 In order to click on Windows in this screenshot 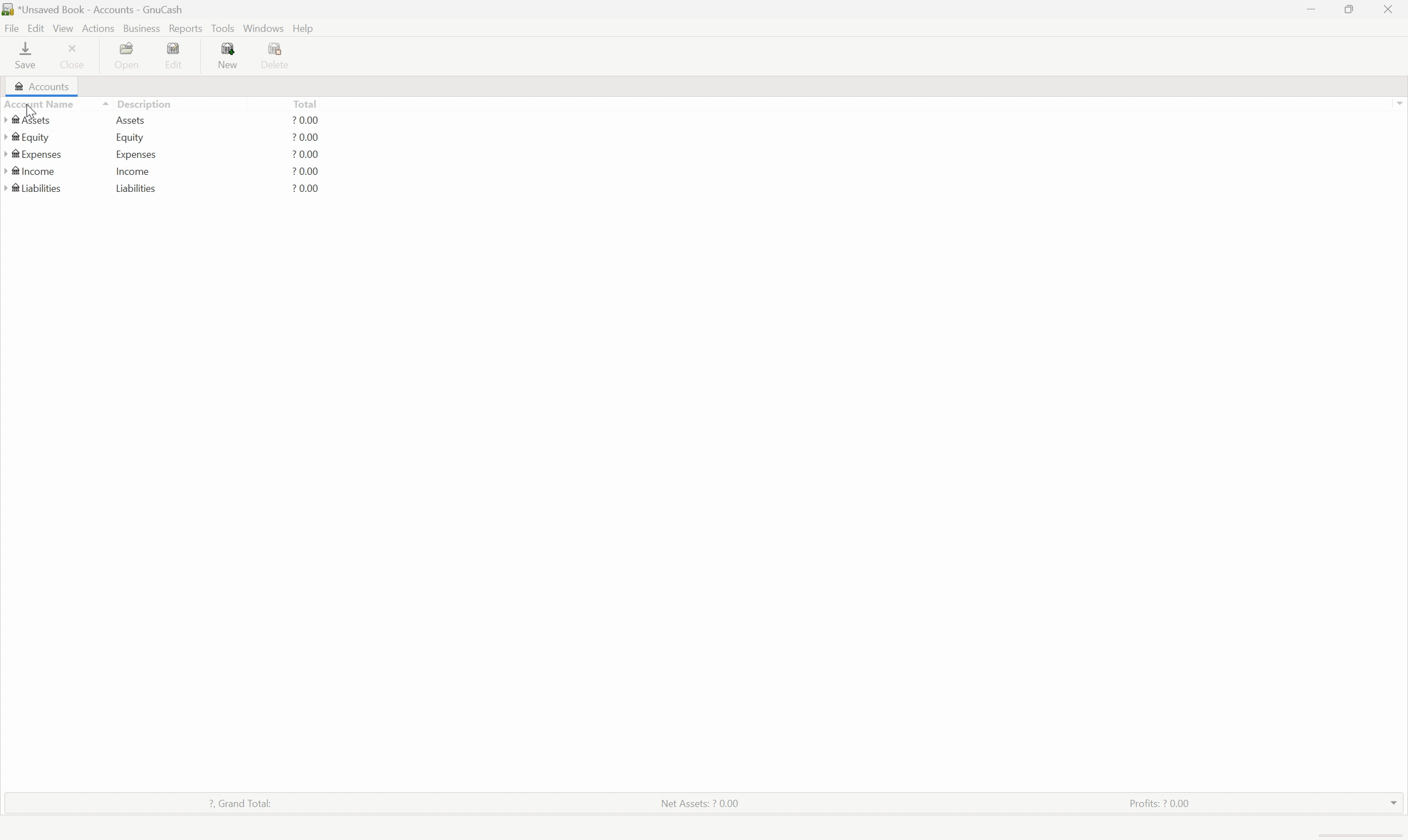, I will do `click(264, 28)`.